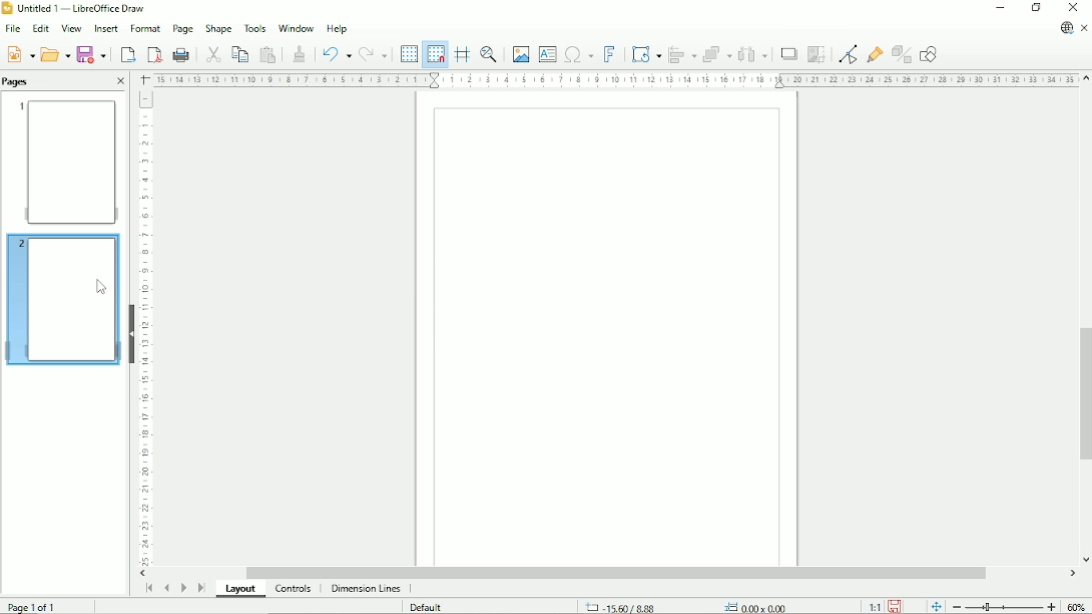 The width and height of the screenshot is (1092, 614). Describe the element at coordinates (928, 54) in the screenshot. I see `Show draw functions` at that location.